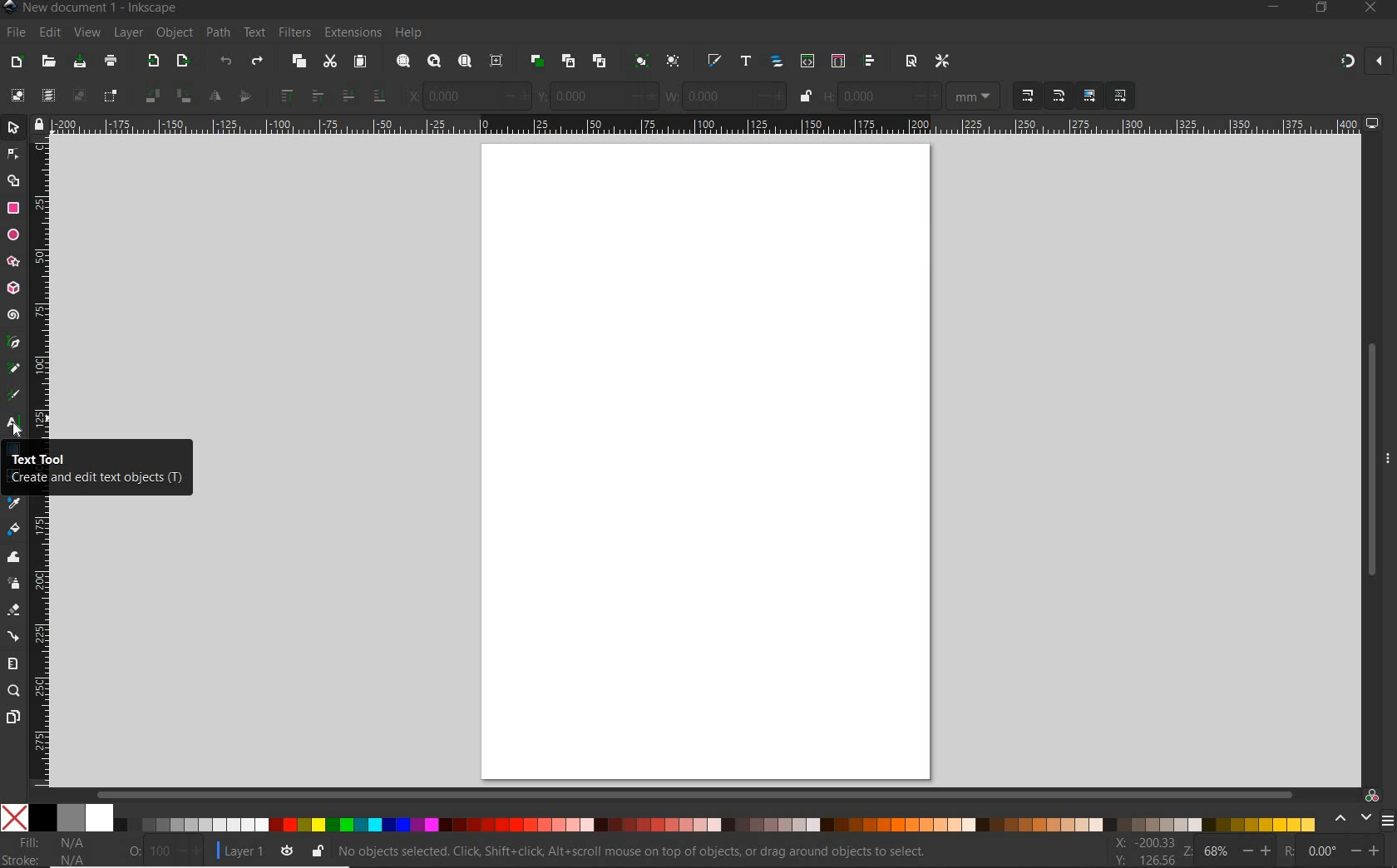  What do you see at coordinates (16, 395) in the screenshot?
I see `calligraphy tool` at bounding box center [16, 395].